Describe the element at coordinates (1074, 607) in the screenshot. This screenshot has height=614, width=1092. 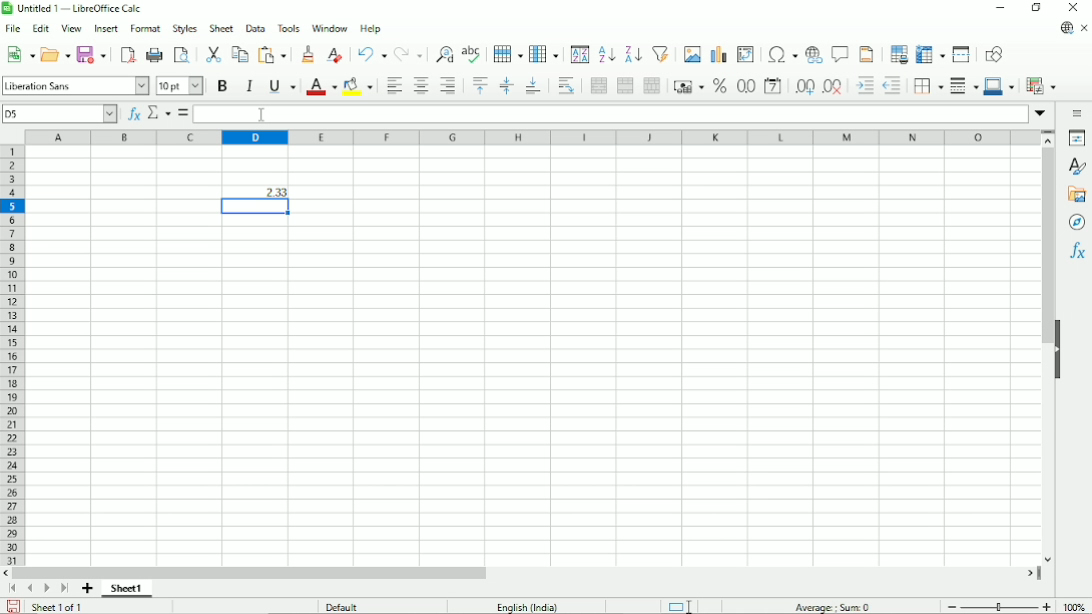
I see `100%` at that location.